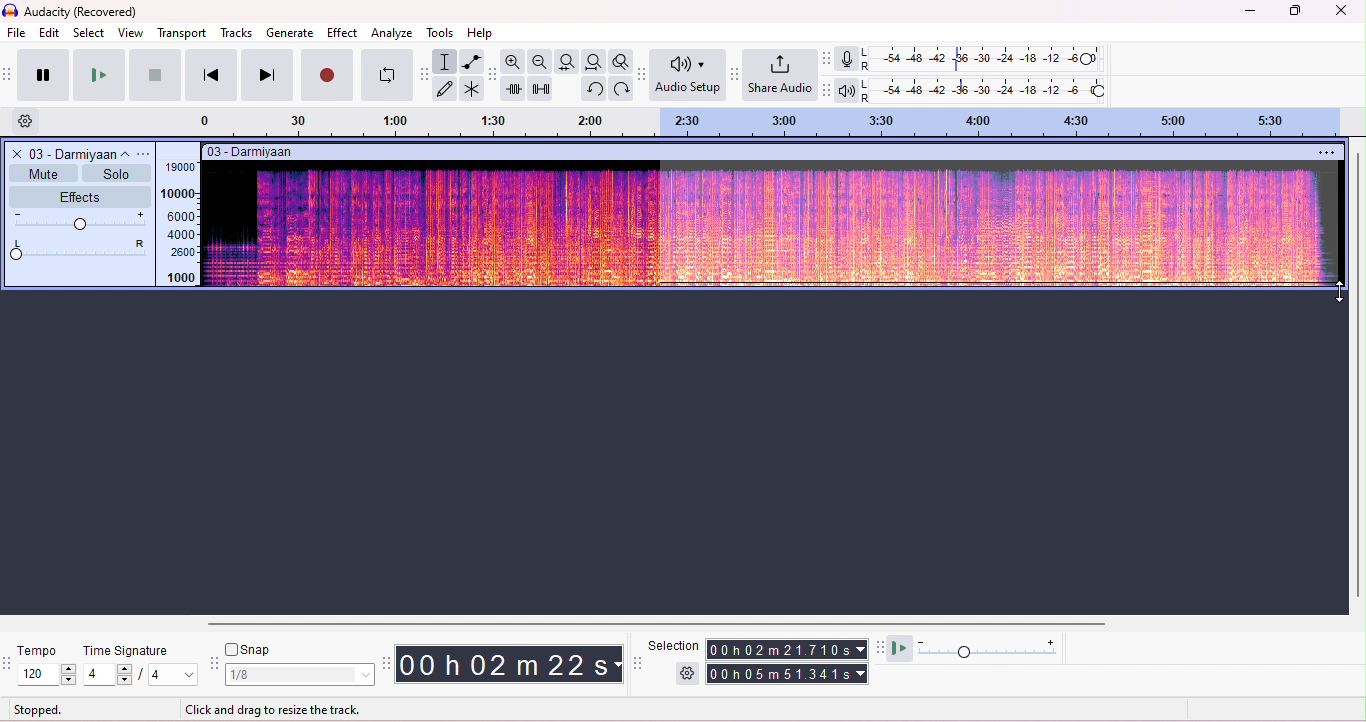  I want to click on time signature, so click(129, 651).